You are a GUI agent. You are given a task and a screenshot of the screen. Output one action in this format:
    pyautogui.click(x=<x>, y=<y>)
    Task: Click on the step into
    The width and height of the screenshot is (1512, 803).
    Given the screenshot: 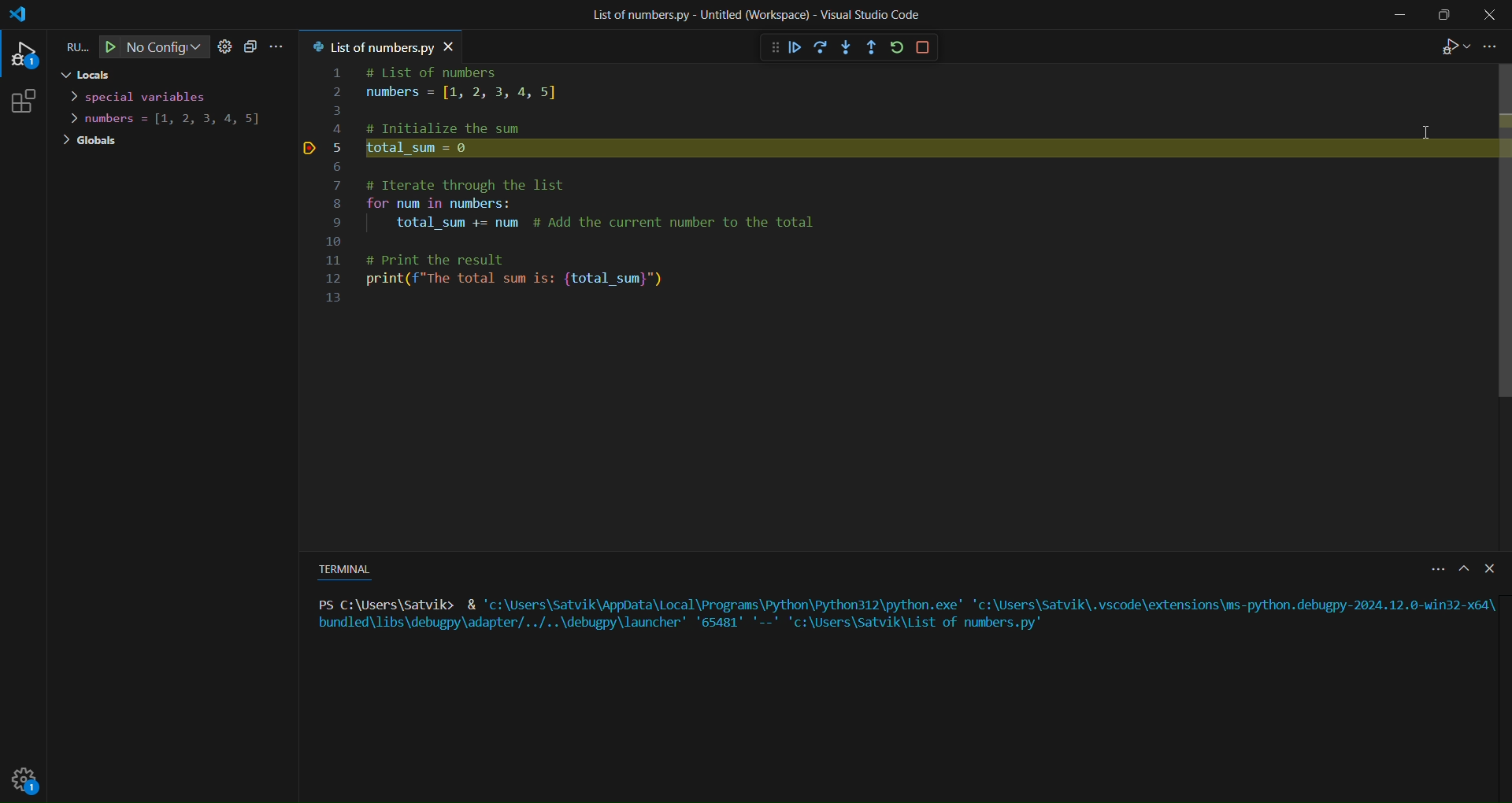 What is the action you would take?
    pyautogui.click(x=847, y=47)
    